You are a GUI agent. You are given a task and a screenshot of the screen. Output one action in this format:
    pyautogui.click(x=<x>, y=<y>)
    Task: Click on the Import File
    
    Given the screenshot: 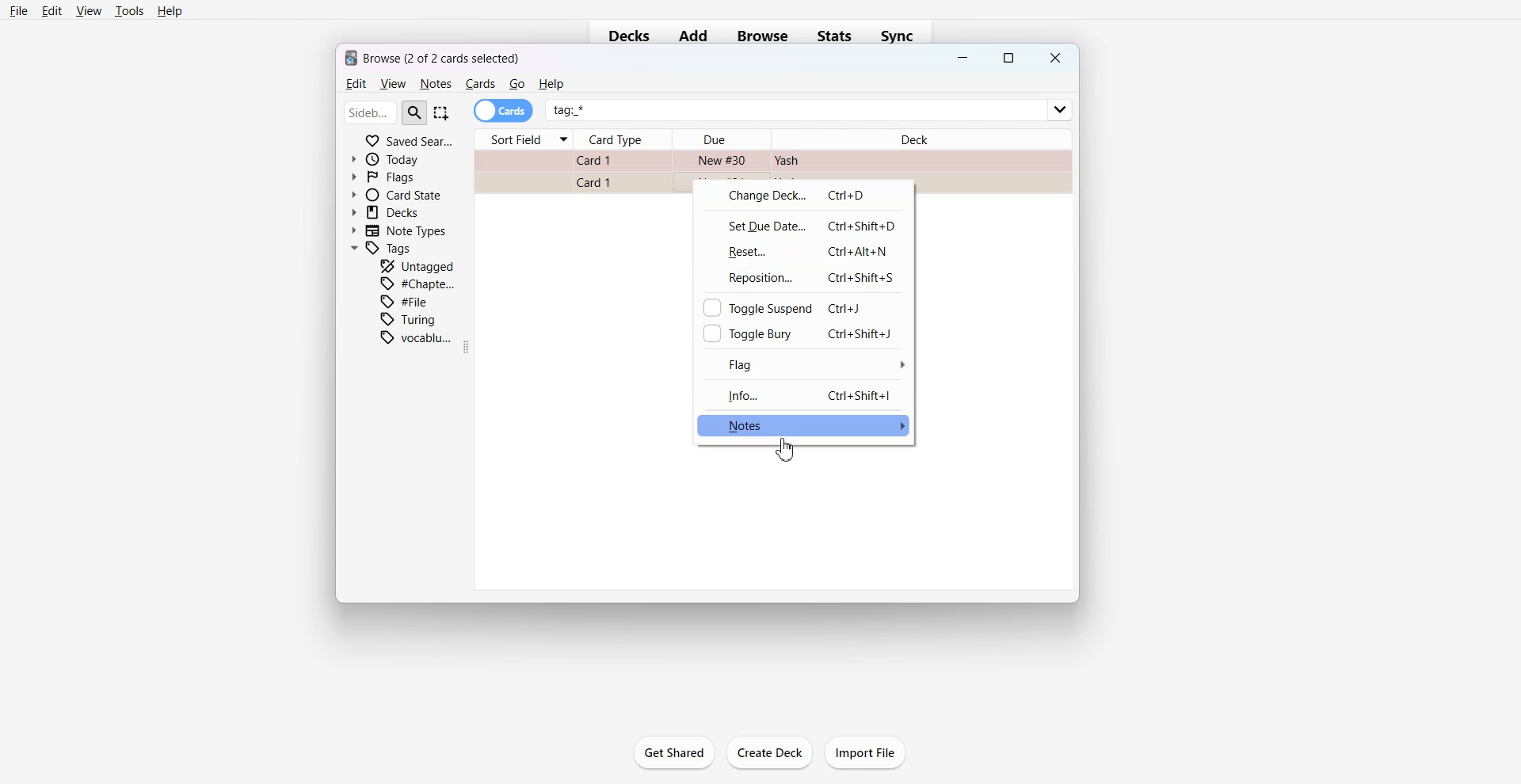 What is the action you would take?
    pyautogui.click(x=867, y=752)
    